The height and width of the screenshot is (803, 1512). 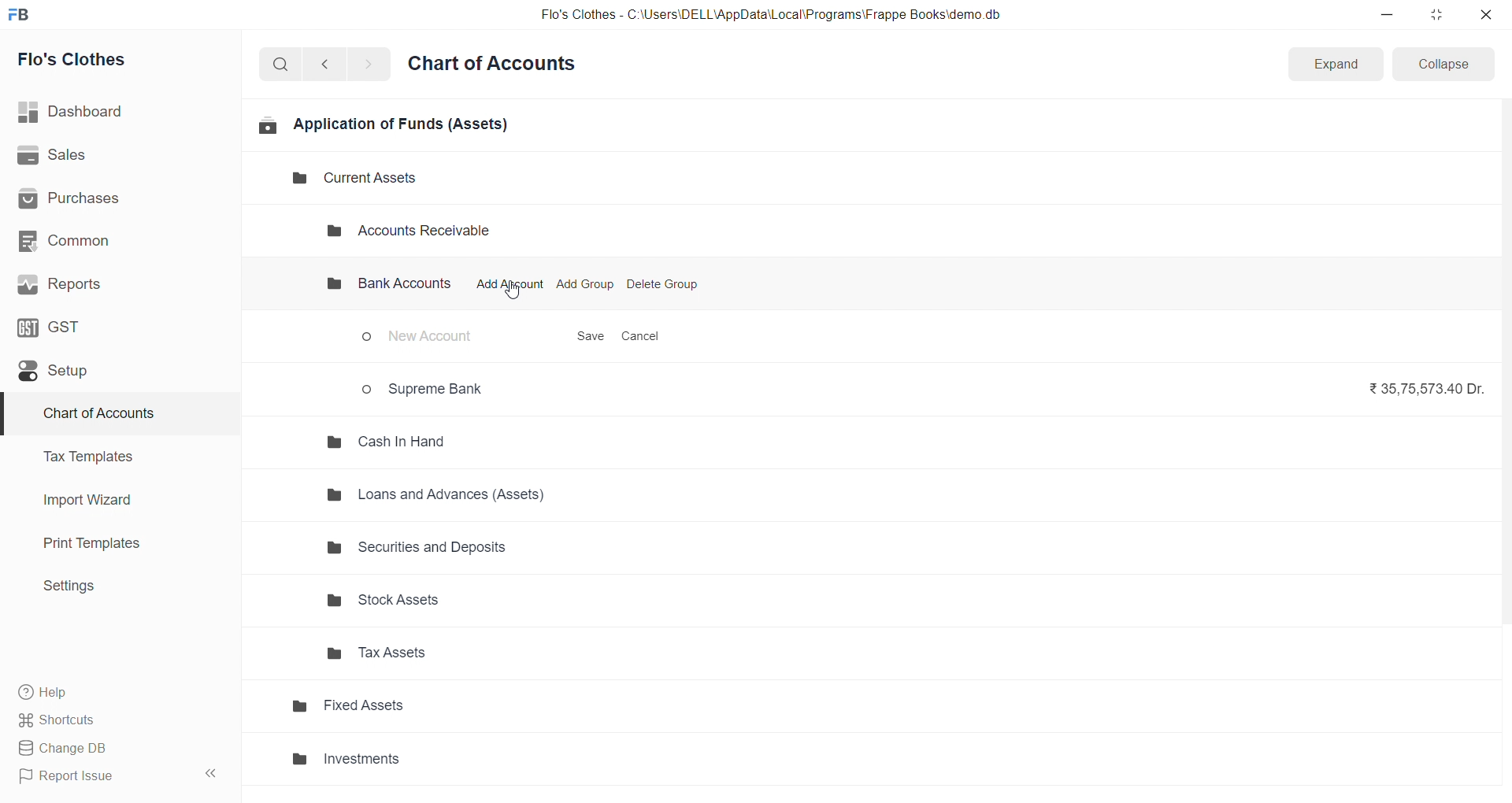 What do you see at coordinates (110, 414) in the screenshot?
I see `Chart of Accounts` at bounding box center [110, 414].